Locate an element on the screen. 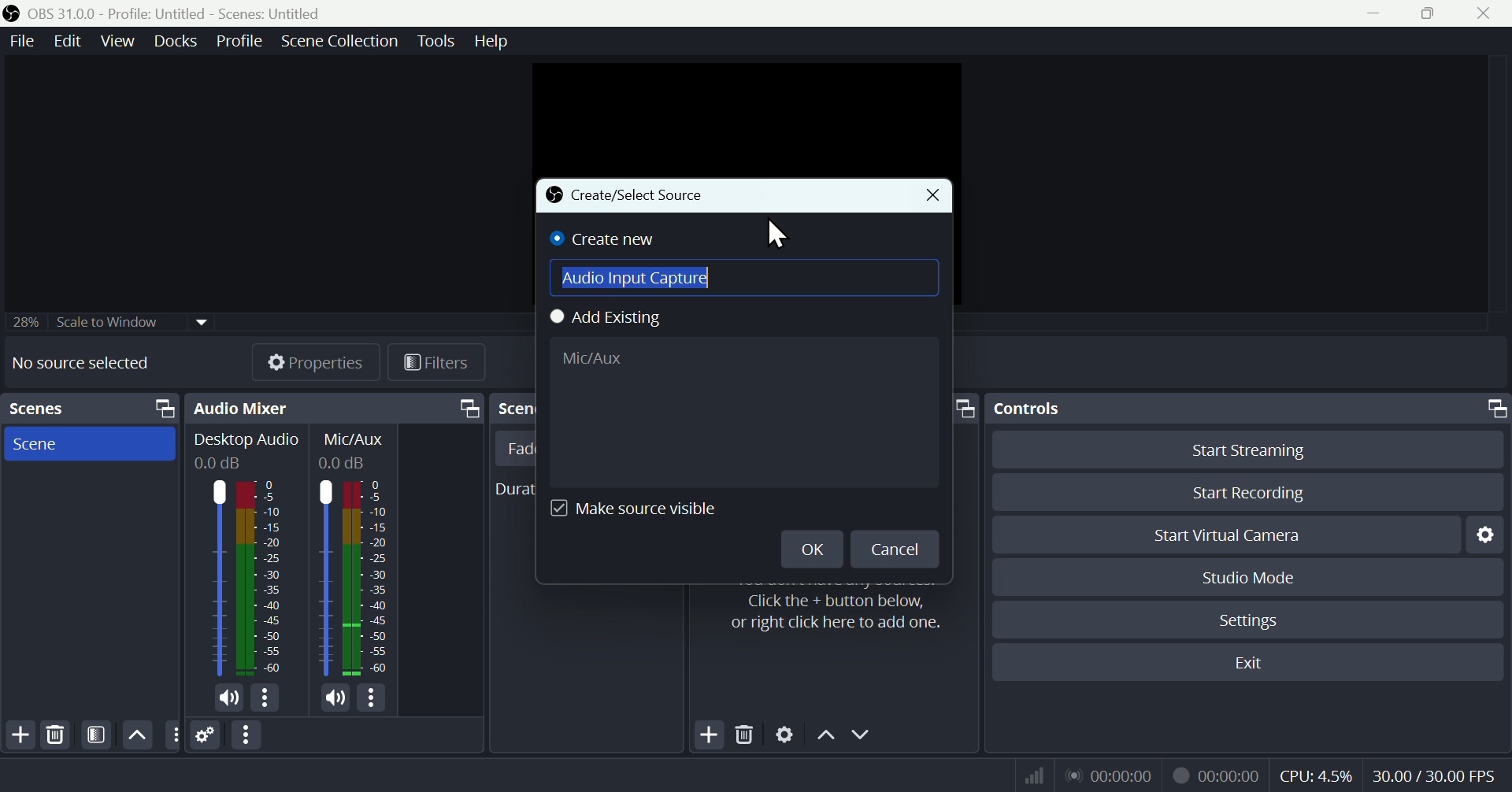  Up is located at coordinates (825, 738).